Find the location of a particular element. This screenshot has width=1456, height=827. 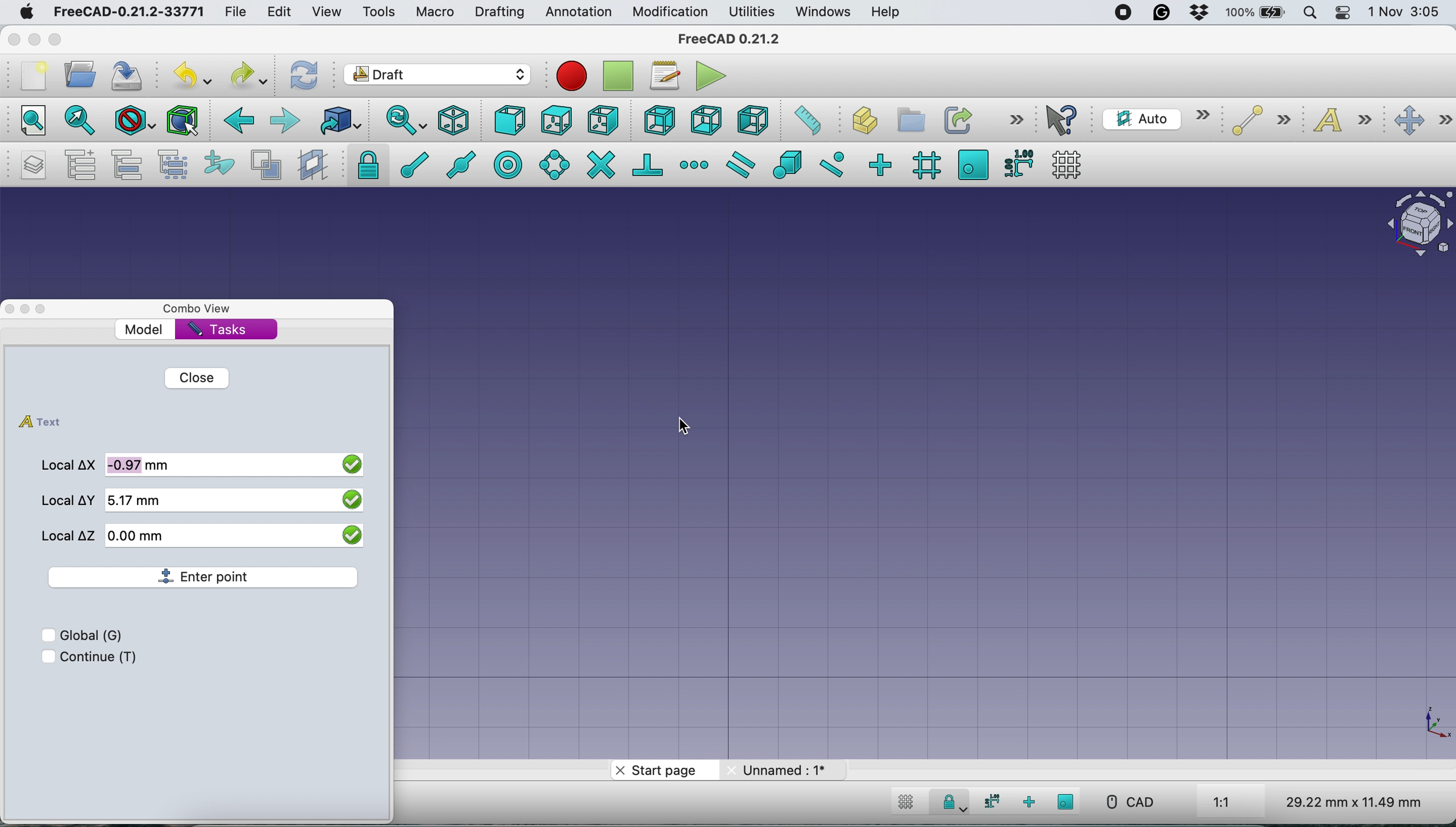

maximise is located at coordinates (56, 39).